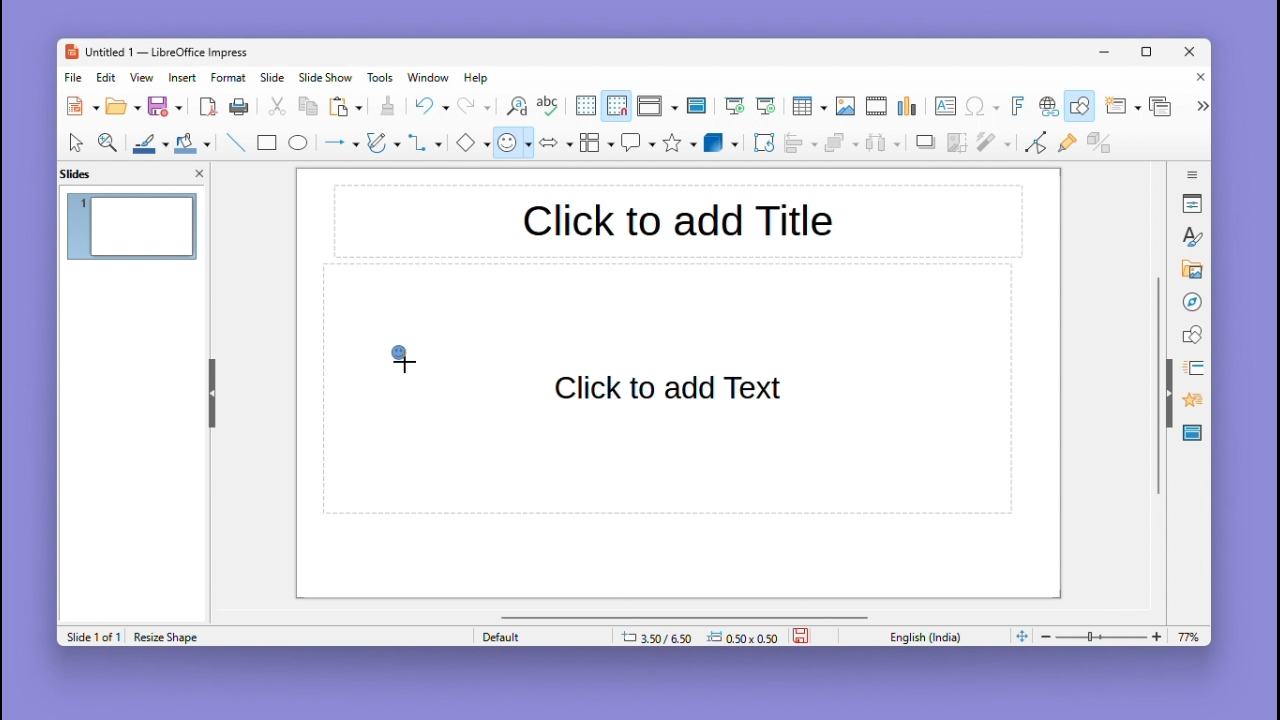  Describe the element at coordinates (735, 107) in the screenshot. I see `First slide` at that location.